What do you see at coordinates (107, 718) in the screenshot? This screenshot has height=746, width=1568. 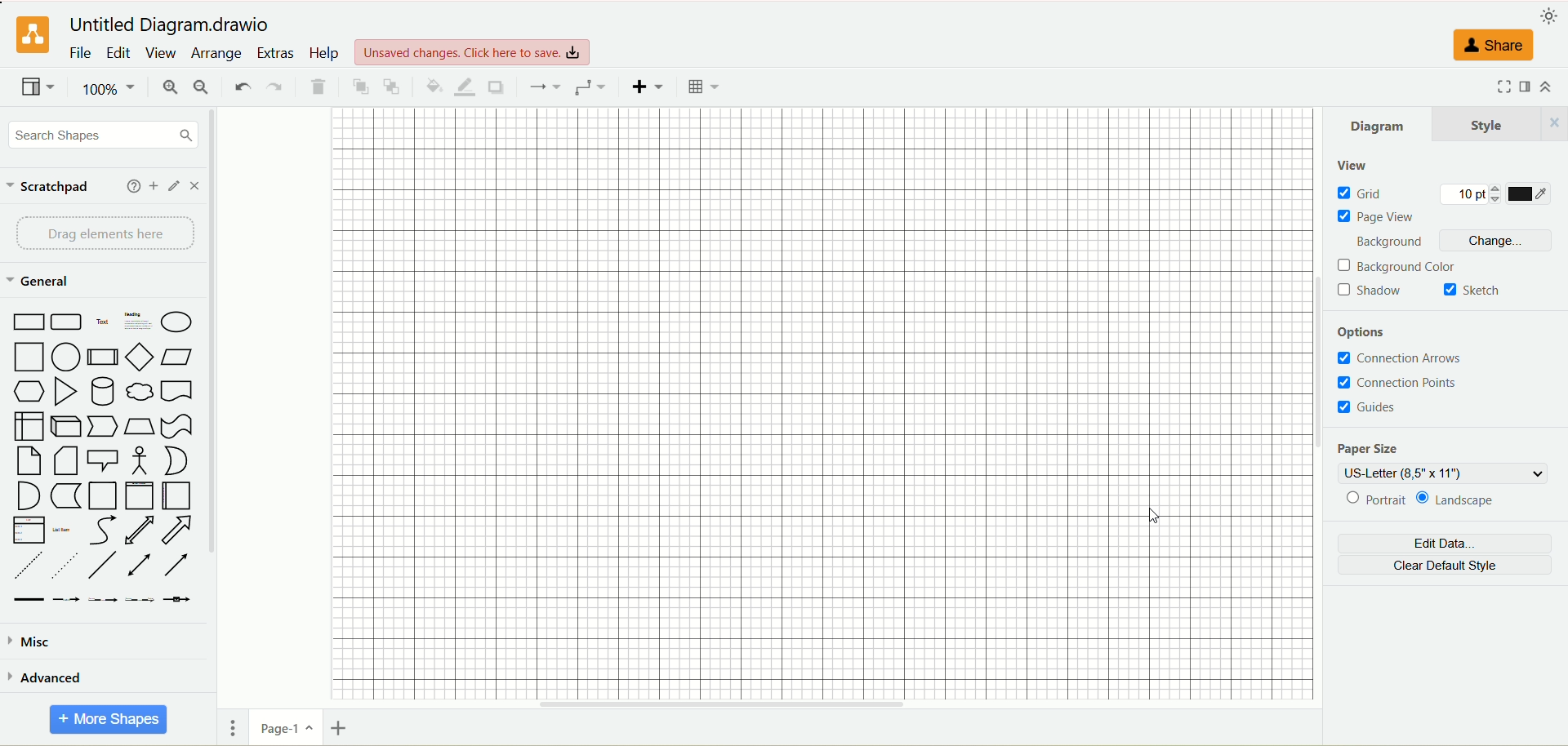 I see `more shapes` at bounding box center [107, 718].